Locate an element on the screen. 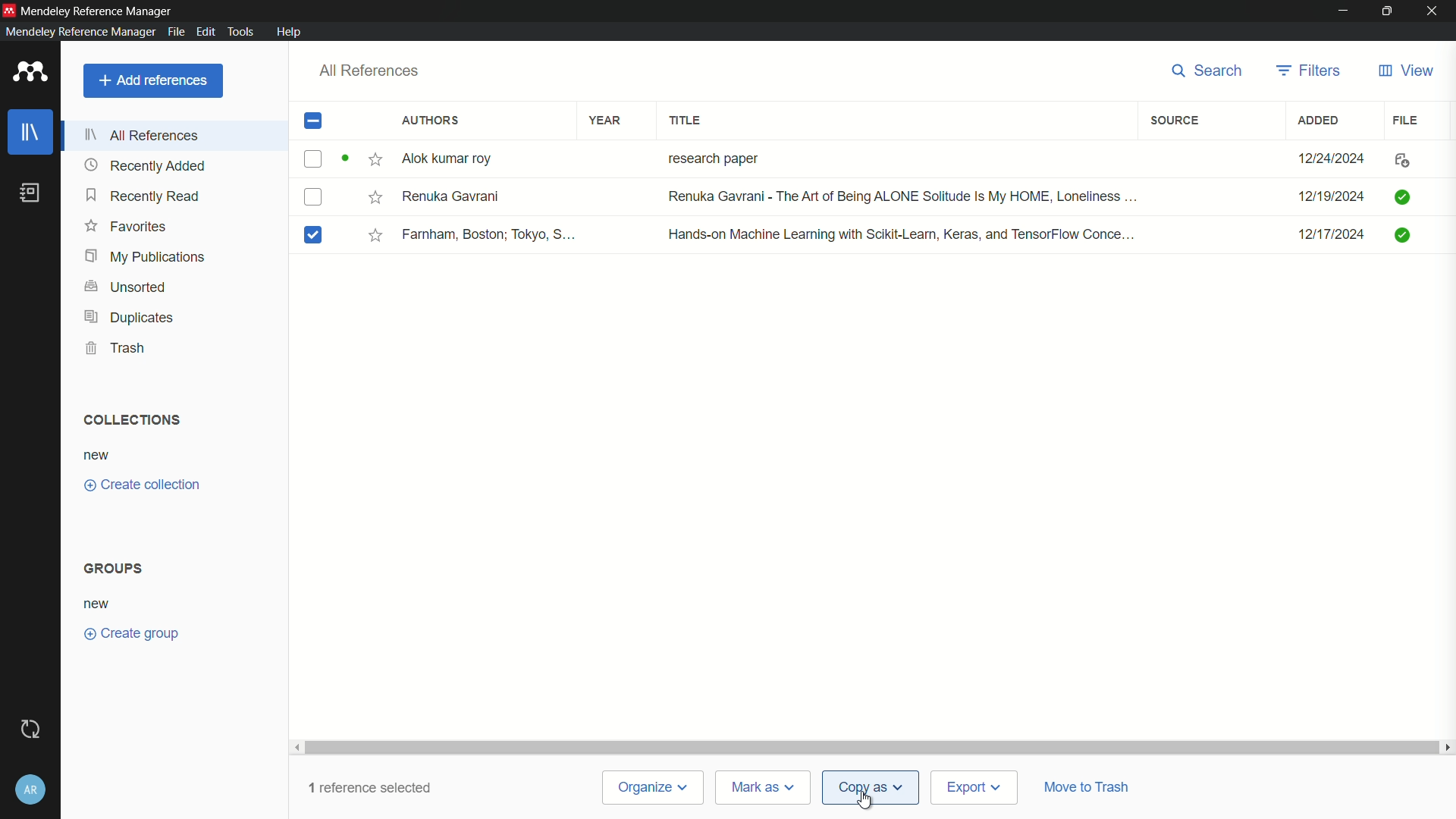 This screenshot has width=1456, height=819. library is located at coordinates (30, 132).